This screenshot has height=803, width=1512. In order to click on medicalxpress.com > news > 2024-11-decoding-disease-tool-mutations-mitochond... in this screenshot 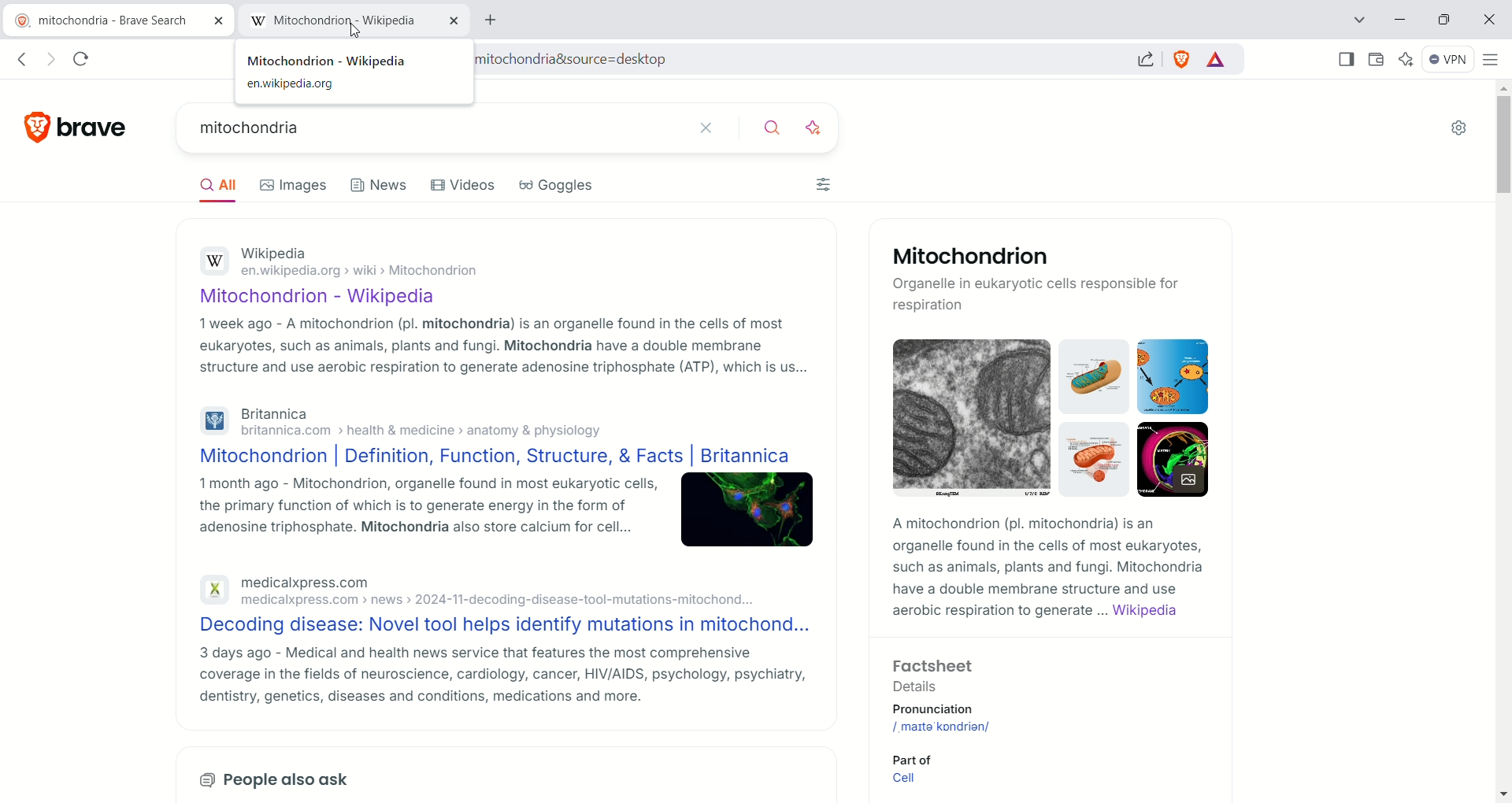, I will do `click(504, 601)`.